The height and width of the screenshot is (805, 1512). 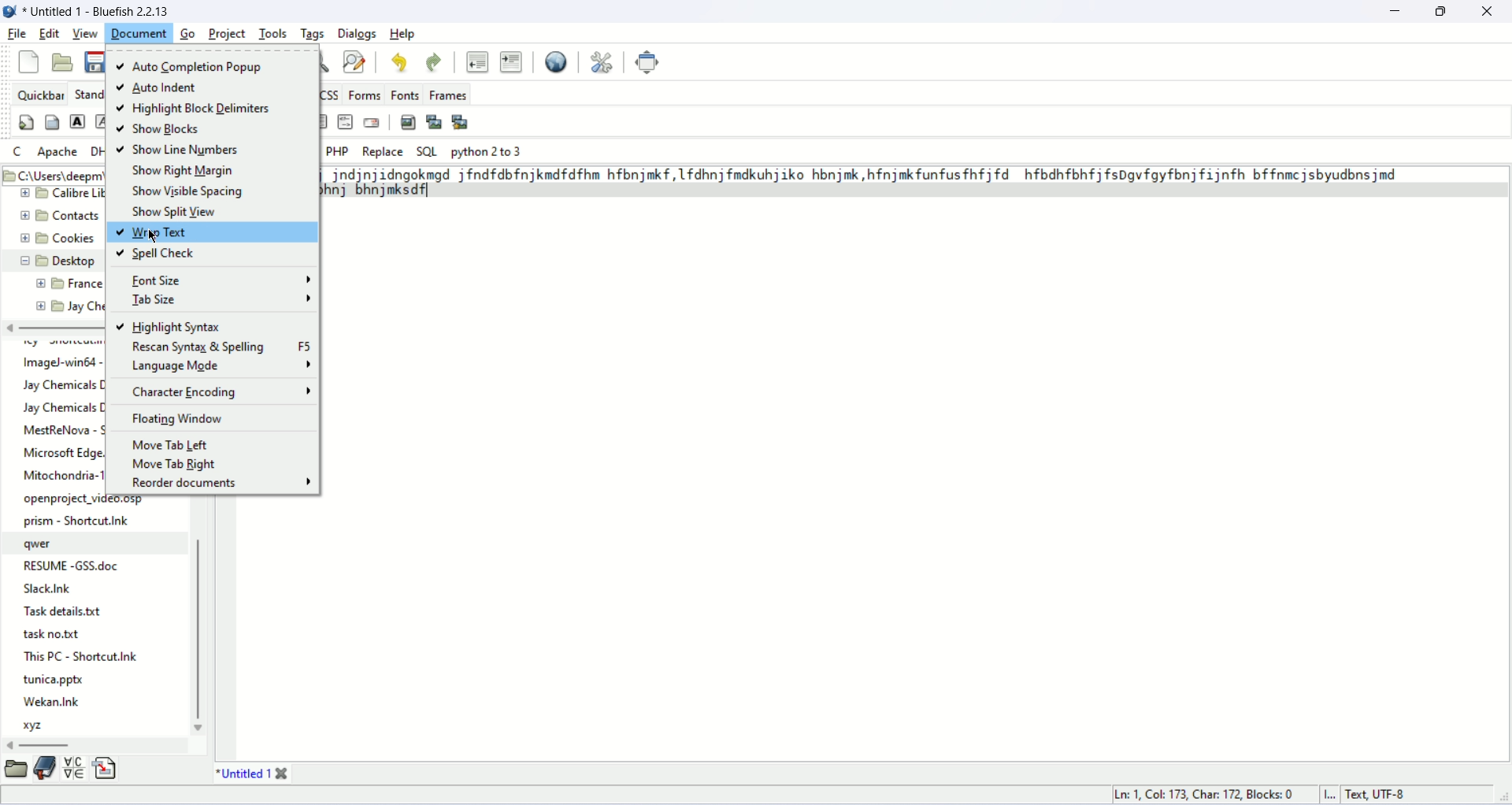 I want to click on new, so click(x=26, y=63).